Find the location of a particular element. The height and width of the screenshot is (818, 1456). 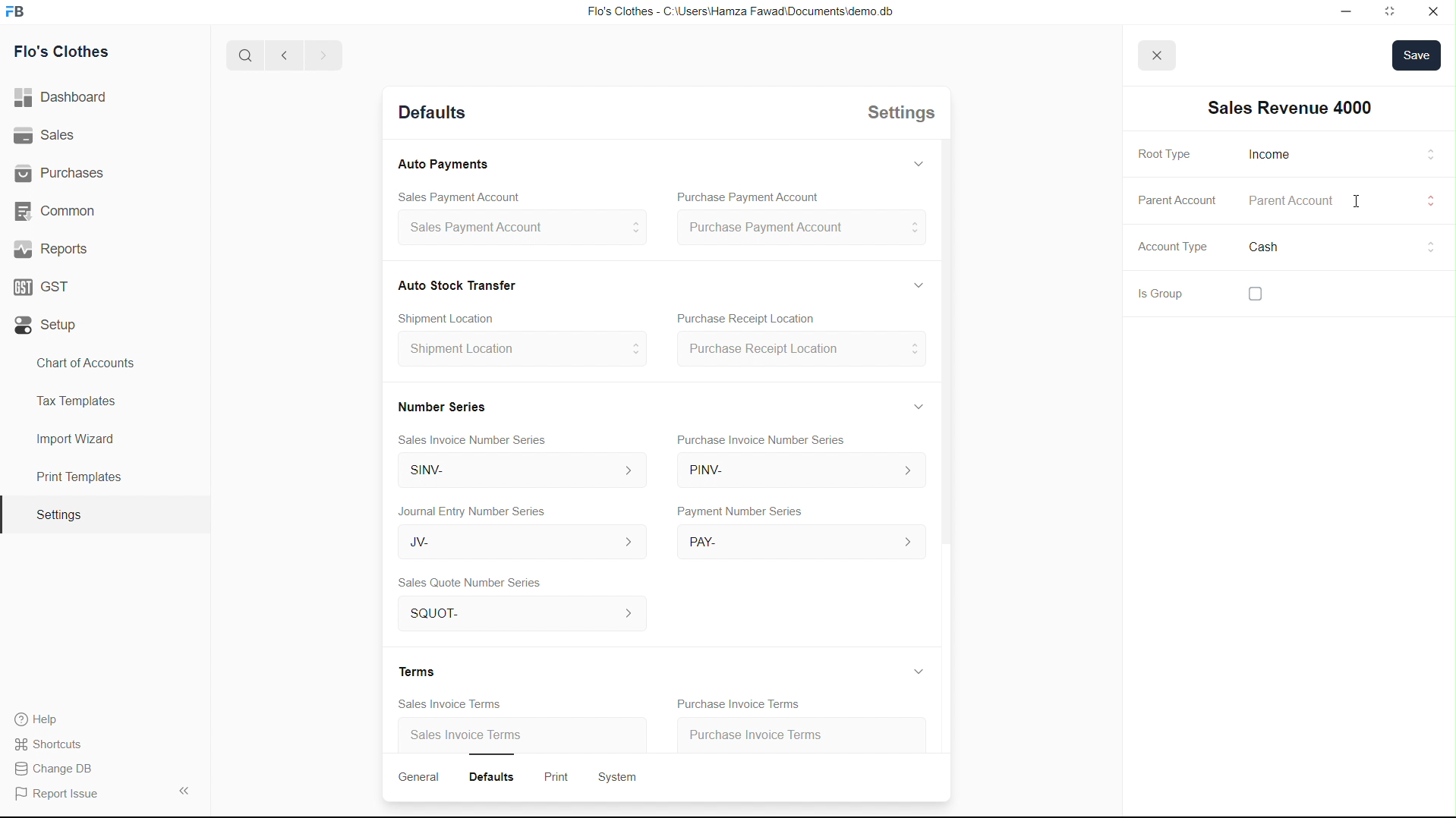

PINV- is located at coordinates (799, 473).